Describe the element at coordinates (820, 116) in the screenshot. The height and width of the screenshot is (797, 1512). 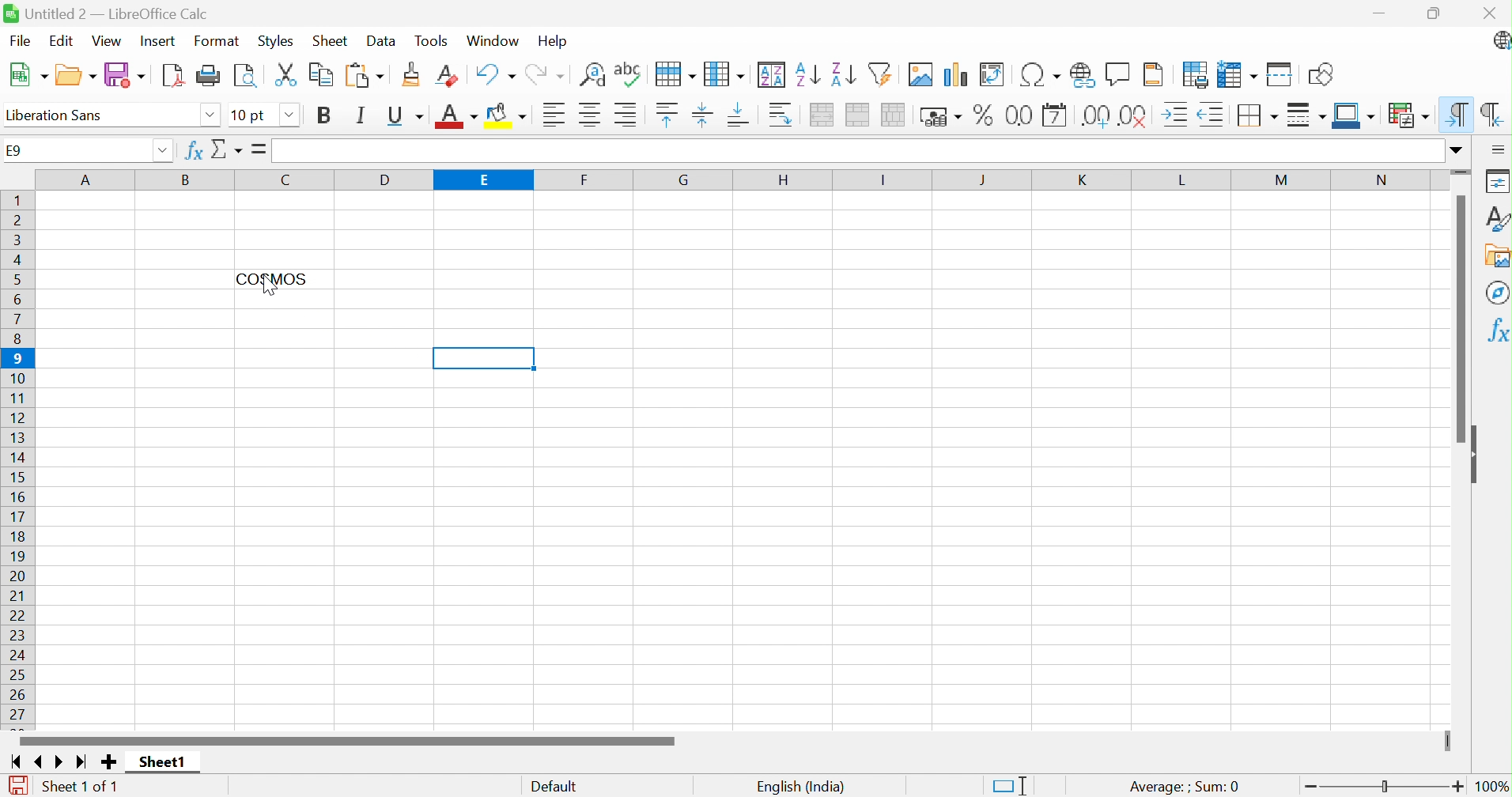
I see `Merge and center or unmerge cells depending on the current toggle state` at that location.